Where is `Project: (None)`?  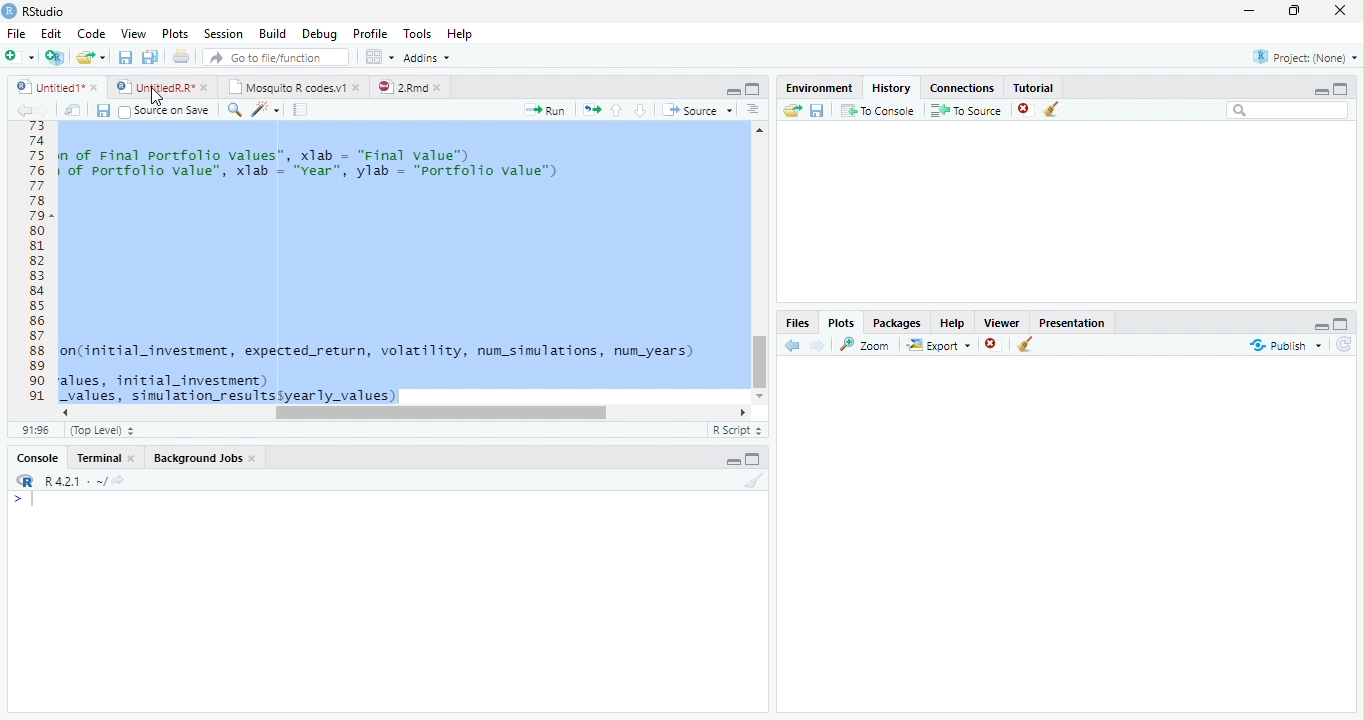 Project: (None) is located at coordinates (1301, 58).